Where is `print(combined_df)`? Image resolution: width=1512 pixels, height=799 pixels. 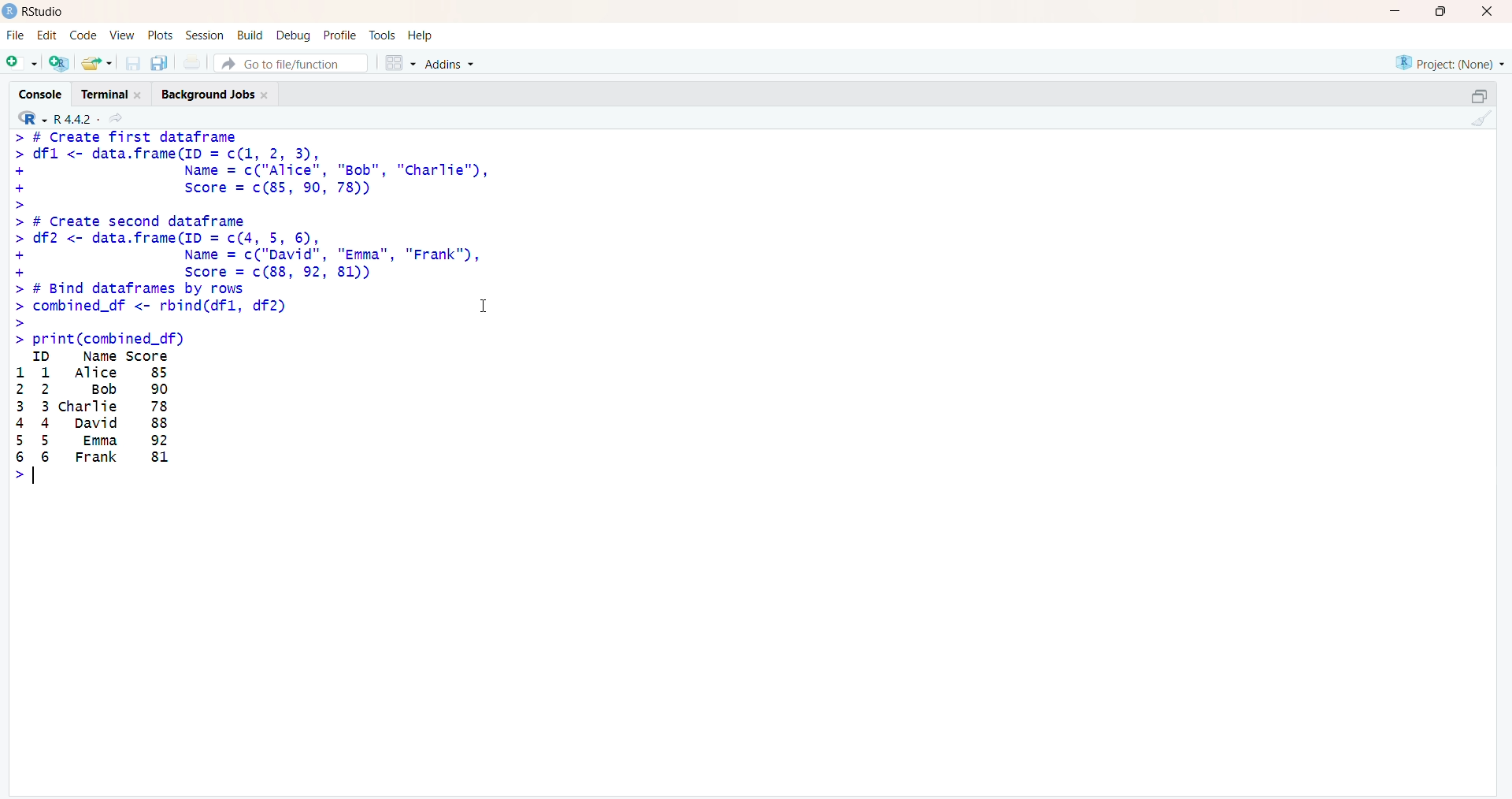
print(combined_df) is located at coordinates (98, 339).